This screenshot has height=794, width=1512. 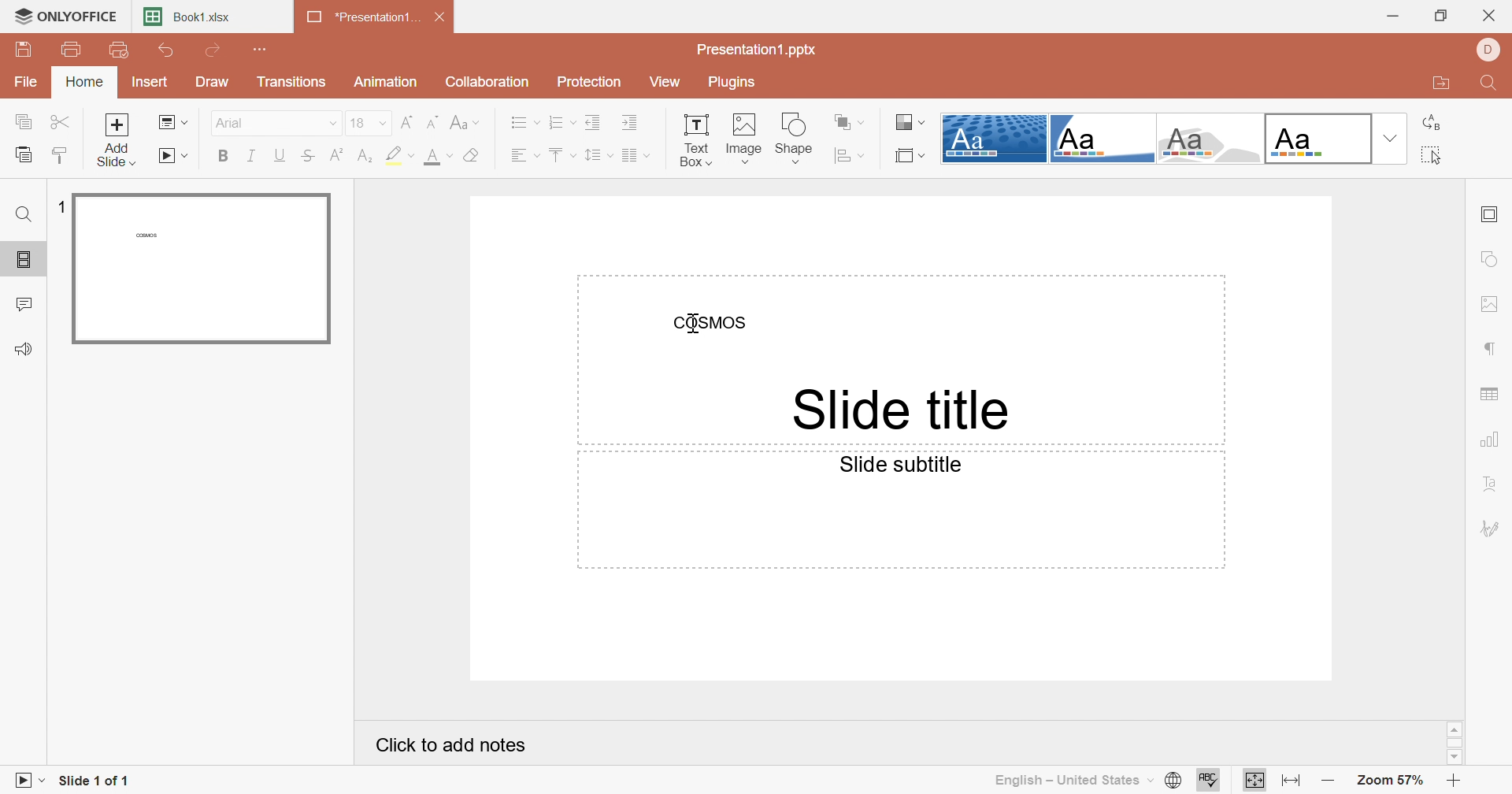 What do you see at coordinates (17, 48) in the screenshot?
I see `Save` at bounding box center [17, 48].